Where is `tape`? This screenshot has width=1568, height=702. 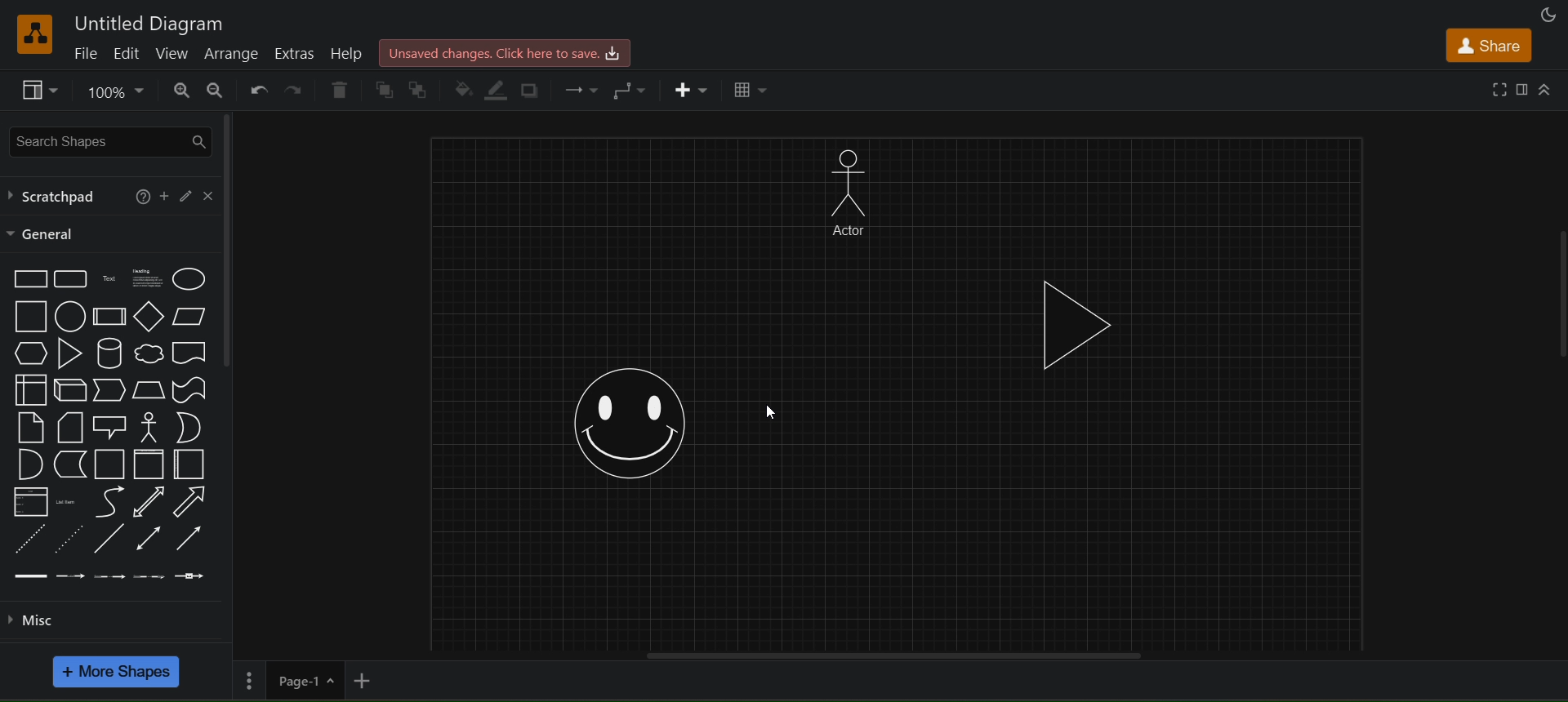 tape is located at coordinates (189, 389).